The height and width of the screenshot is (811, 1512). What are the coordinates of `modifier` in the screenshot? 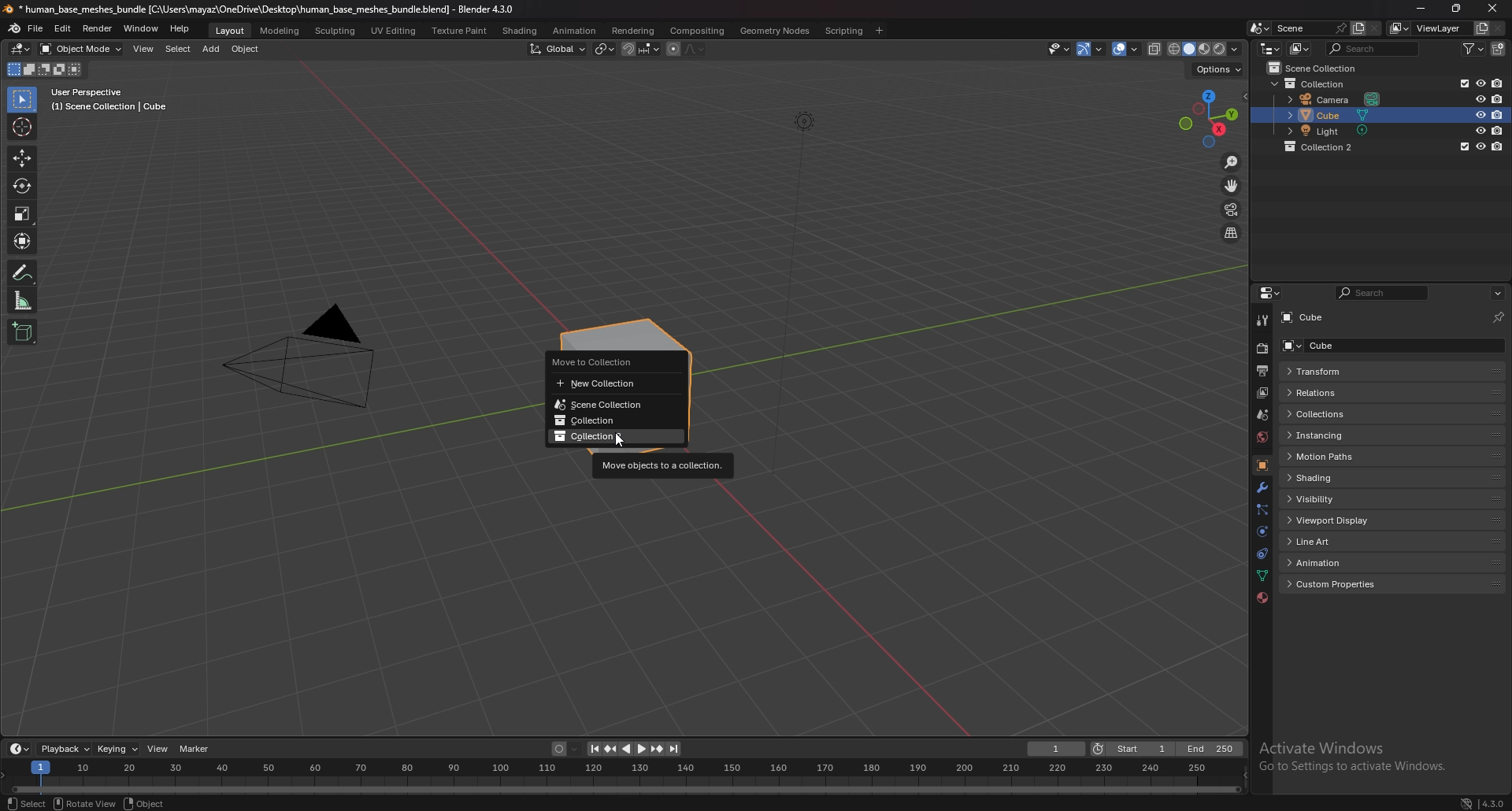 It's located at (1262, 489).